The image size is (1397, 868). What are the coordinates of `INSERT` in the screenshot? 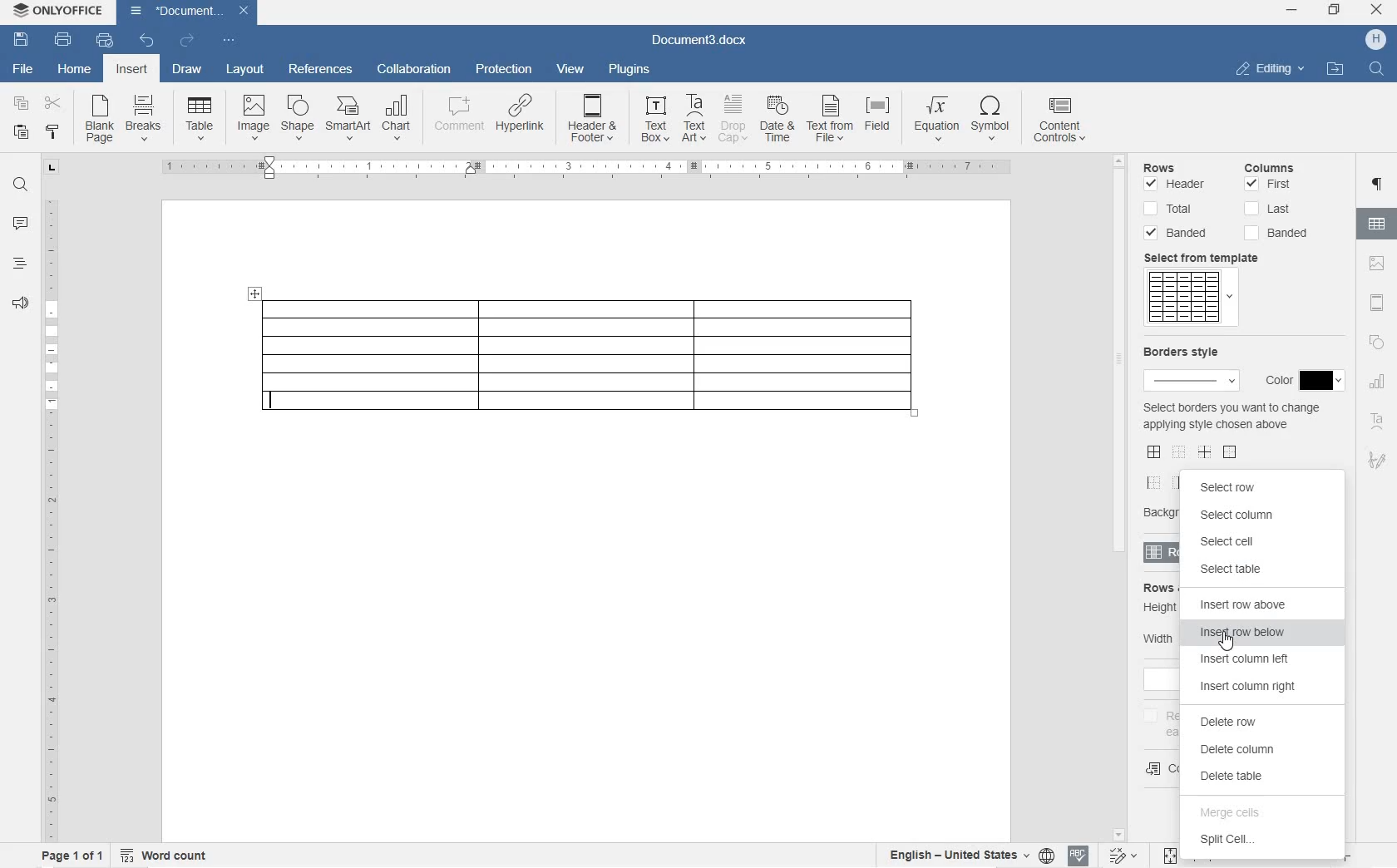 It's located at (131, 69).